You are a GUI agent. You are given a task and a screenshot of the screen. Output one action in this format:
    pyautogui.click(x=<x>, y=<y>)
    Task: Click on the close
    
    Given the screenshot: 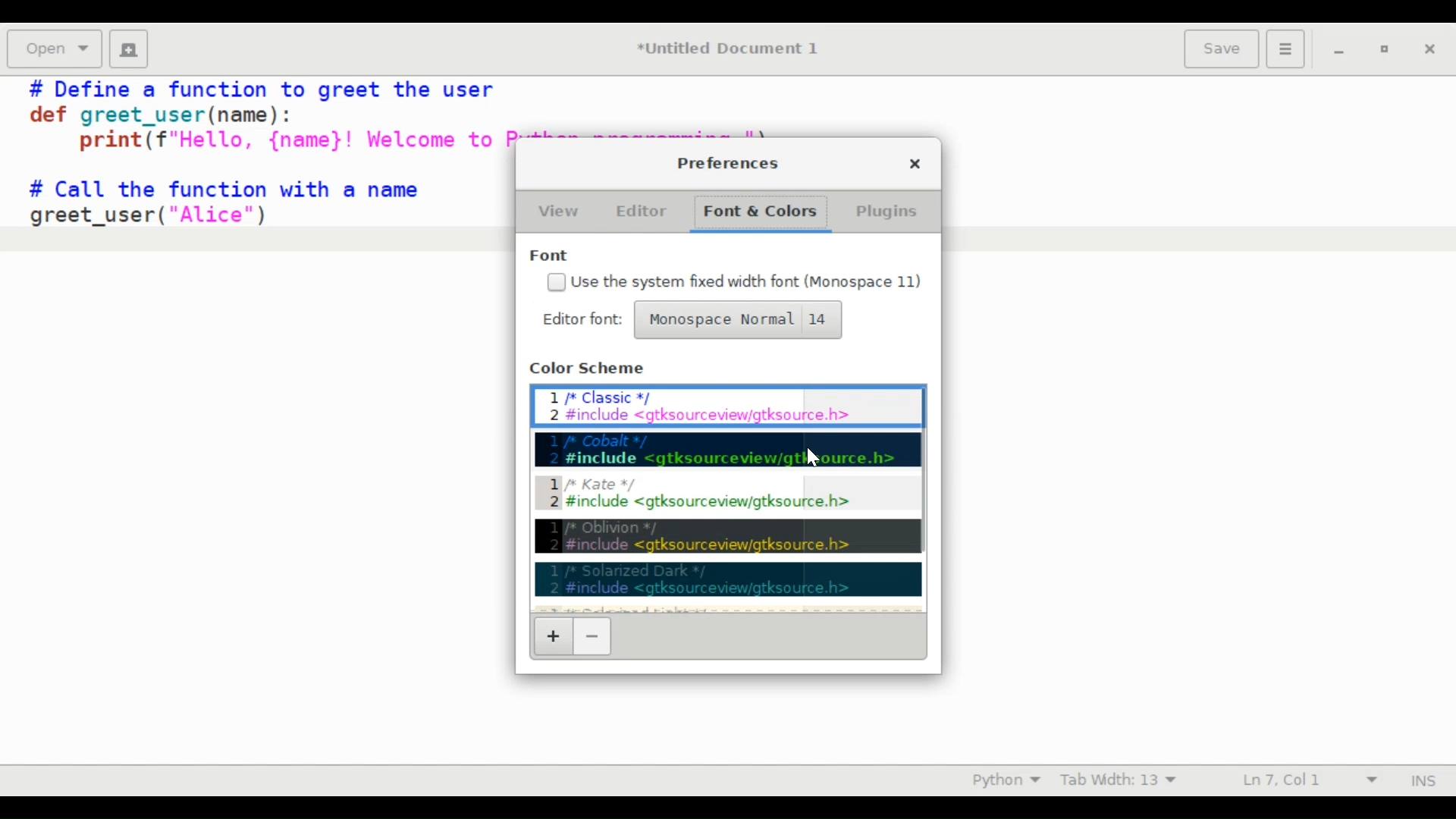 What is the action you would take?
    pyautogui.click(x=912, y=165)
    